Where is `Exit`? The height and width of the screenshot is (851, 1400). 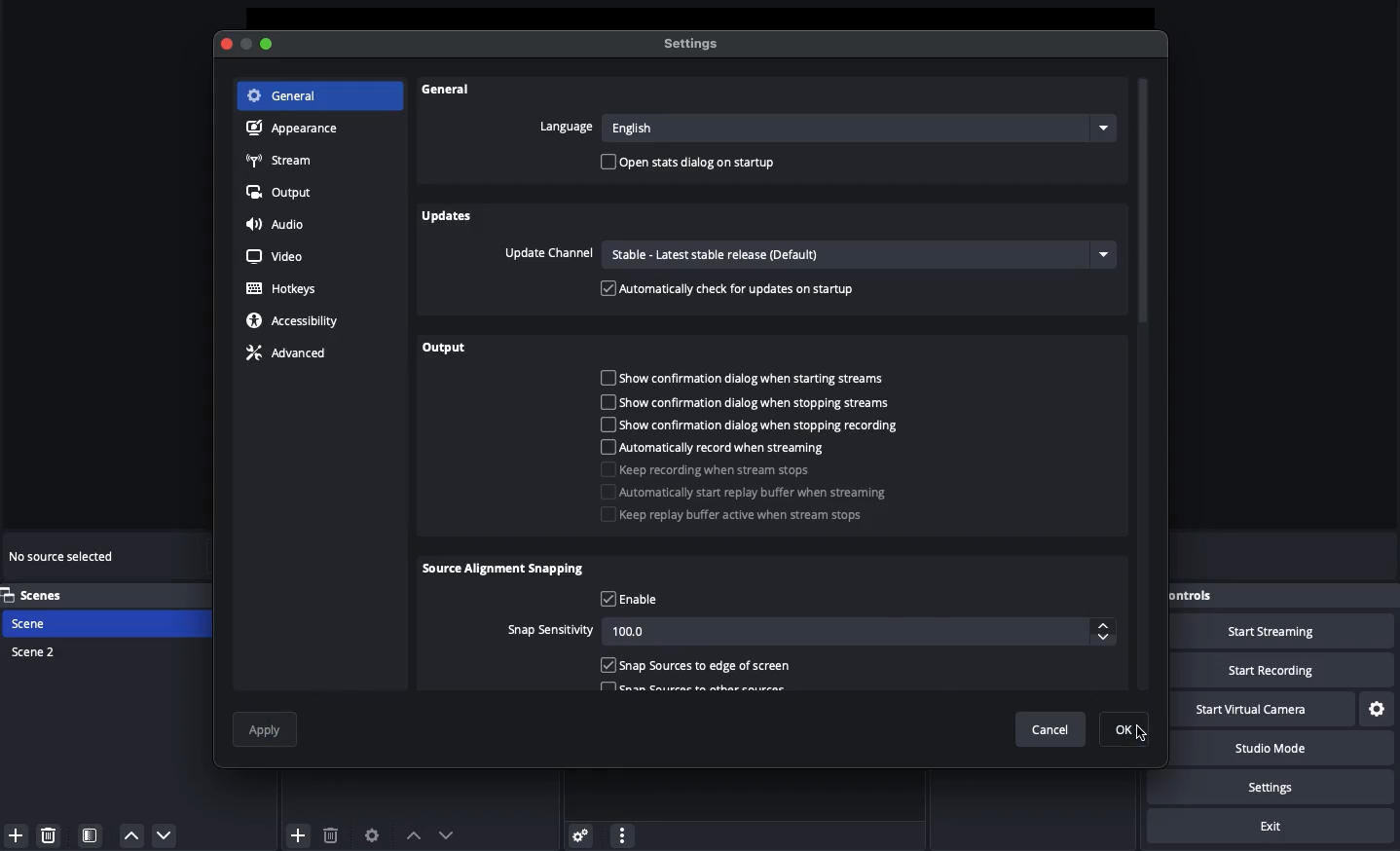 Exit is located at coordinates (1273, 828).